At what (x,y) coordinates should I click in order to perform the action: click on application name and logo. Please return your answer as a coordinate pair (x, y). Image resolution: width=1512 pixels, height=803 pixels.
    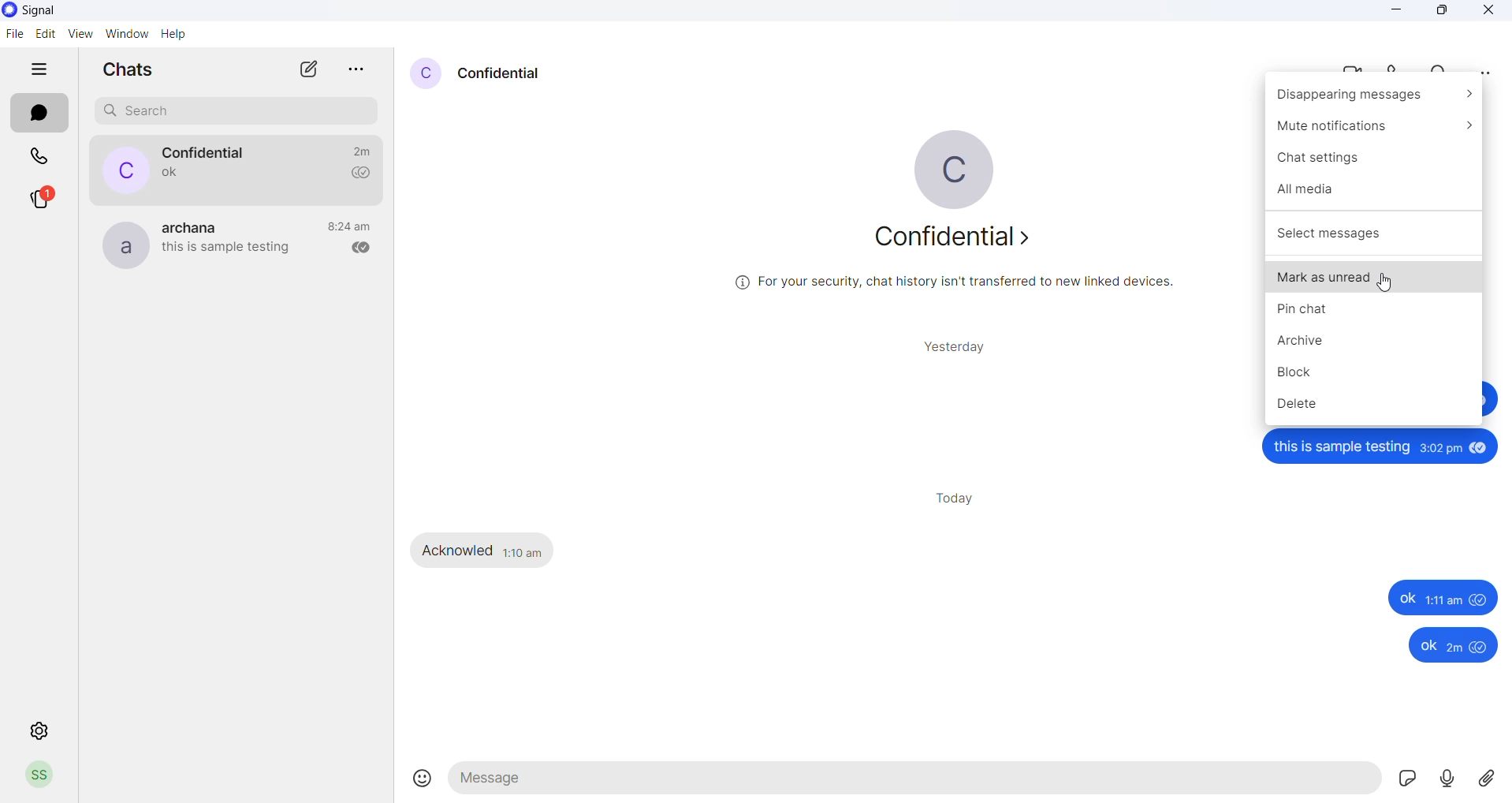
    Looking at the image, I should click on (69, 10).